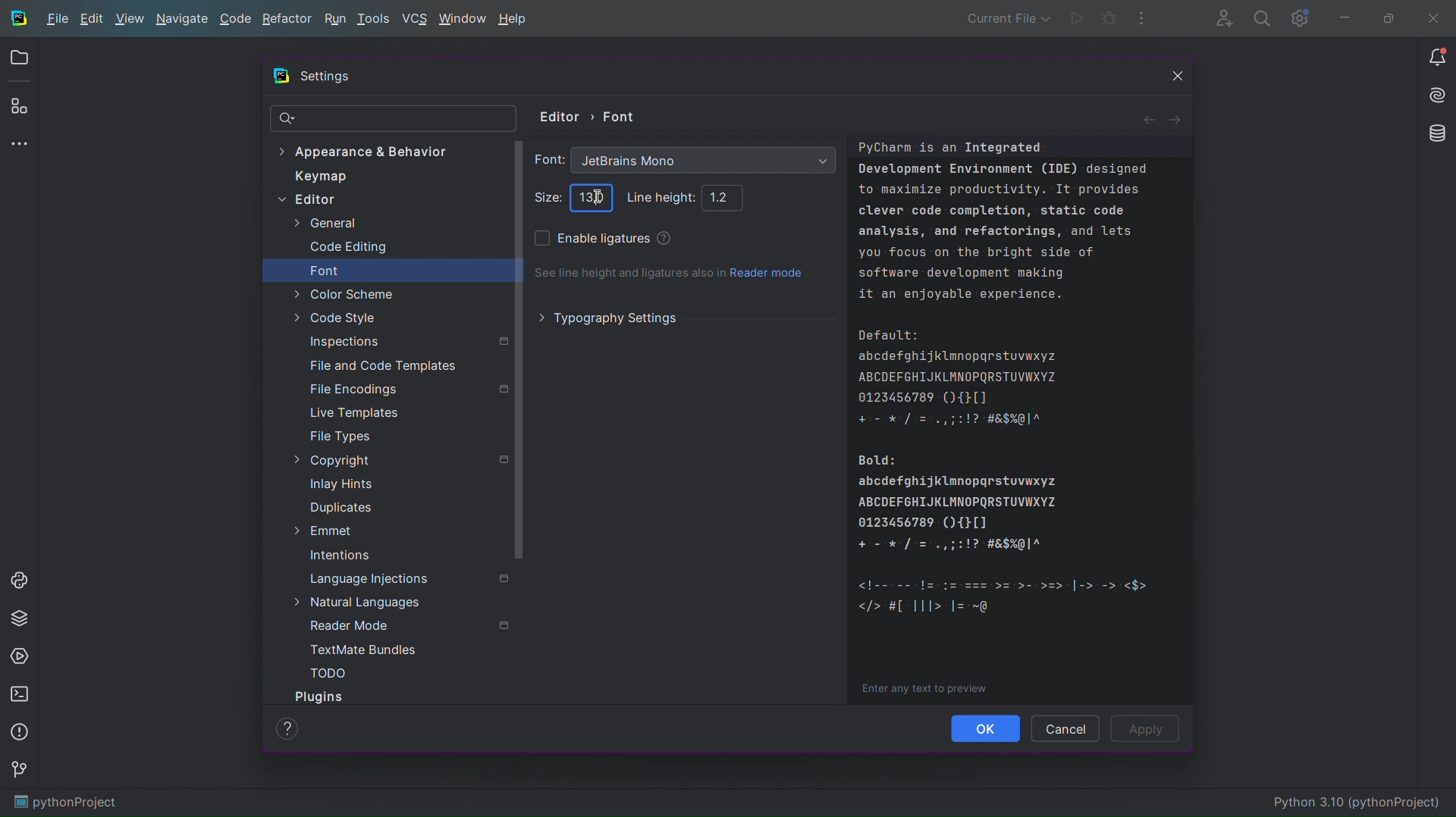 The image size is (1456, 817). What do you see at coordinates (414, 19) in the screenshot?
I see `VCS` at bounding box center [414, 19].